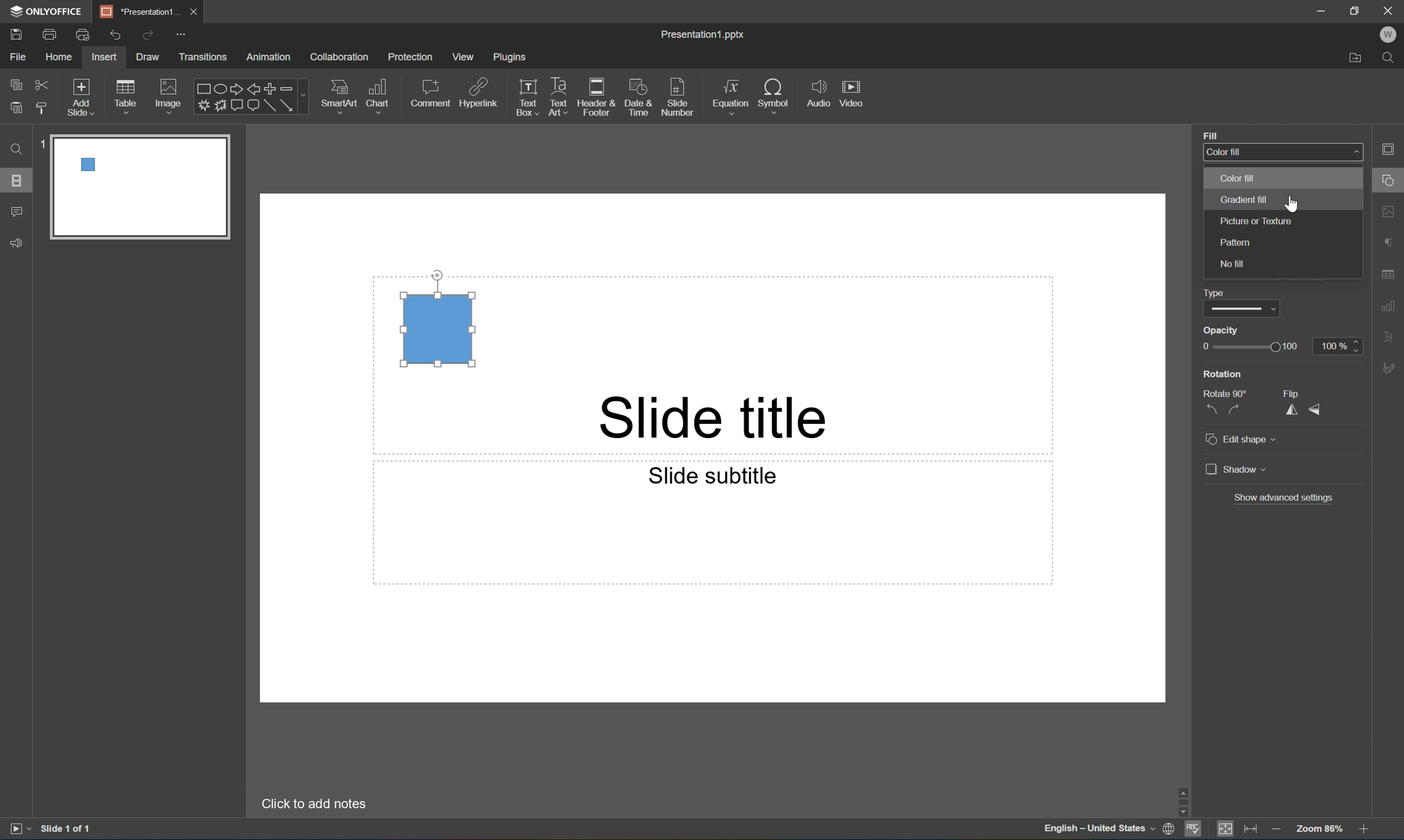  What do you see at coordinates (18, 213) in the screenshot?
I see `Comment` at bounding box center [18, 213].